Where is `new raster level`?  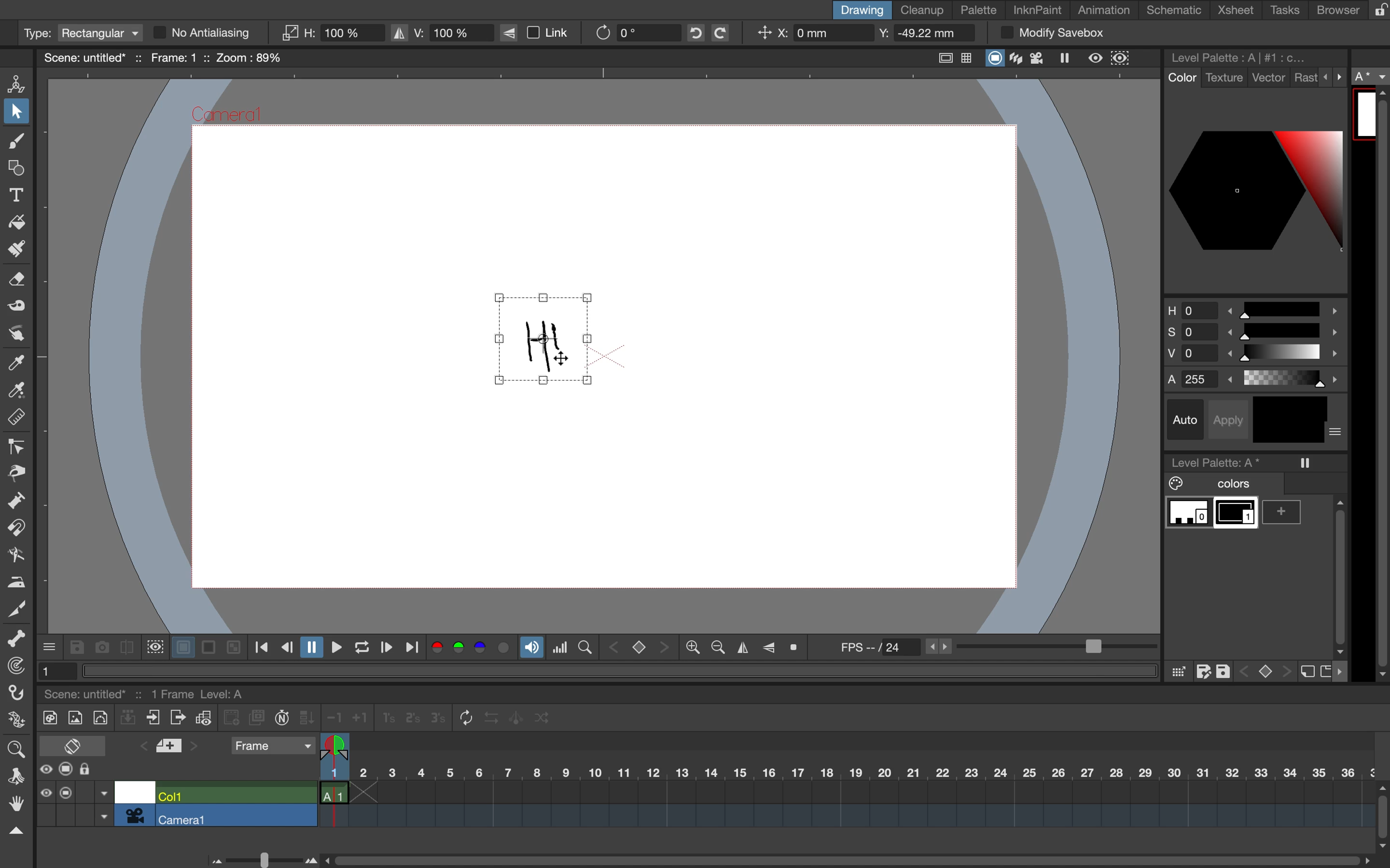 new raster level is located at coordinates (74, 719).